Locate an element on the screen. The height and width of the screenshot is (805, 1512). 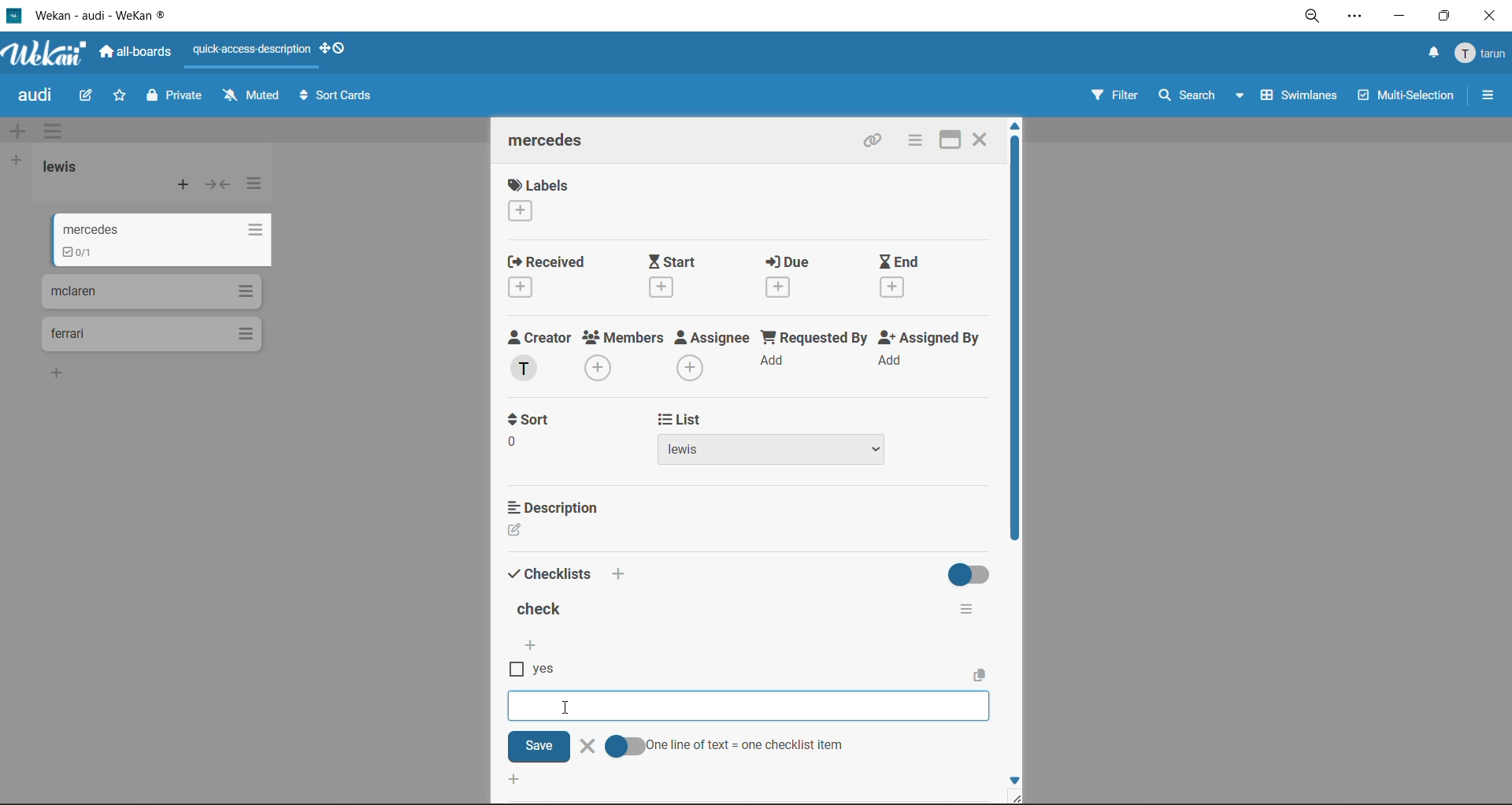
creator is located at coordinates (539, 356).